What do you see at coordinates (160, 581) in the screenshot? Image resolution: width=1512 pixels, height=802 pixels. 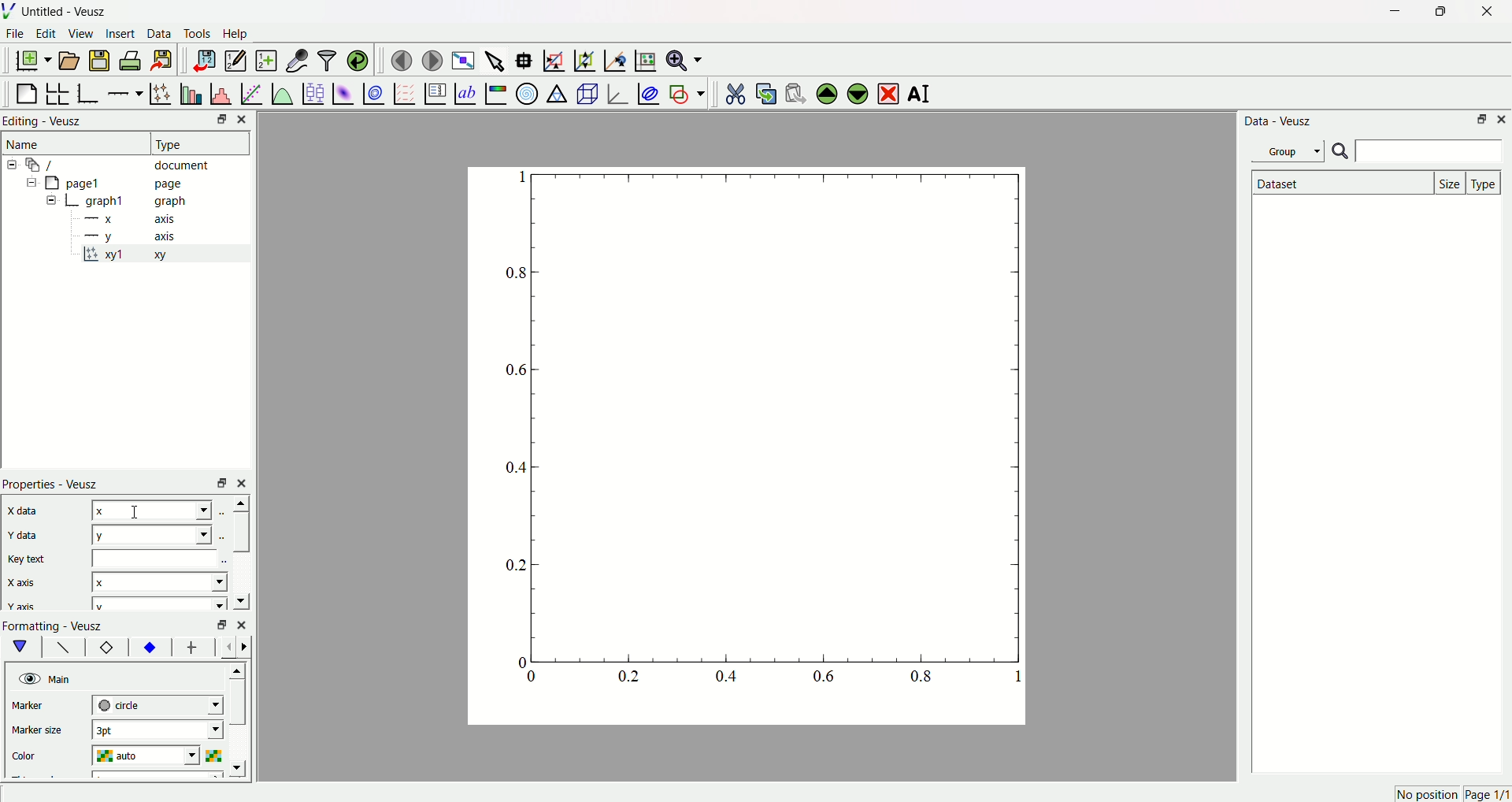 I see `x` at bounding box center [160, 581].